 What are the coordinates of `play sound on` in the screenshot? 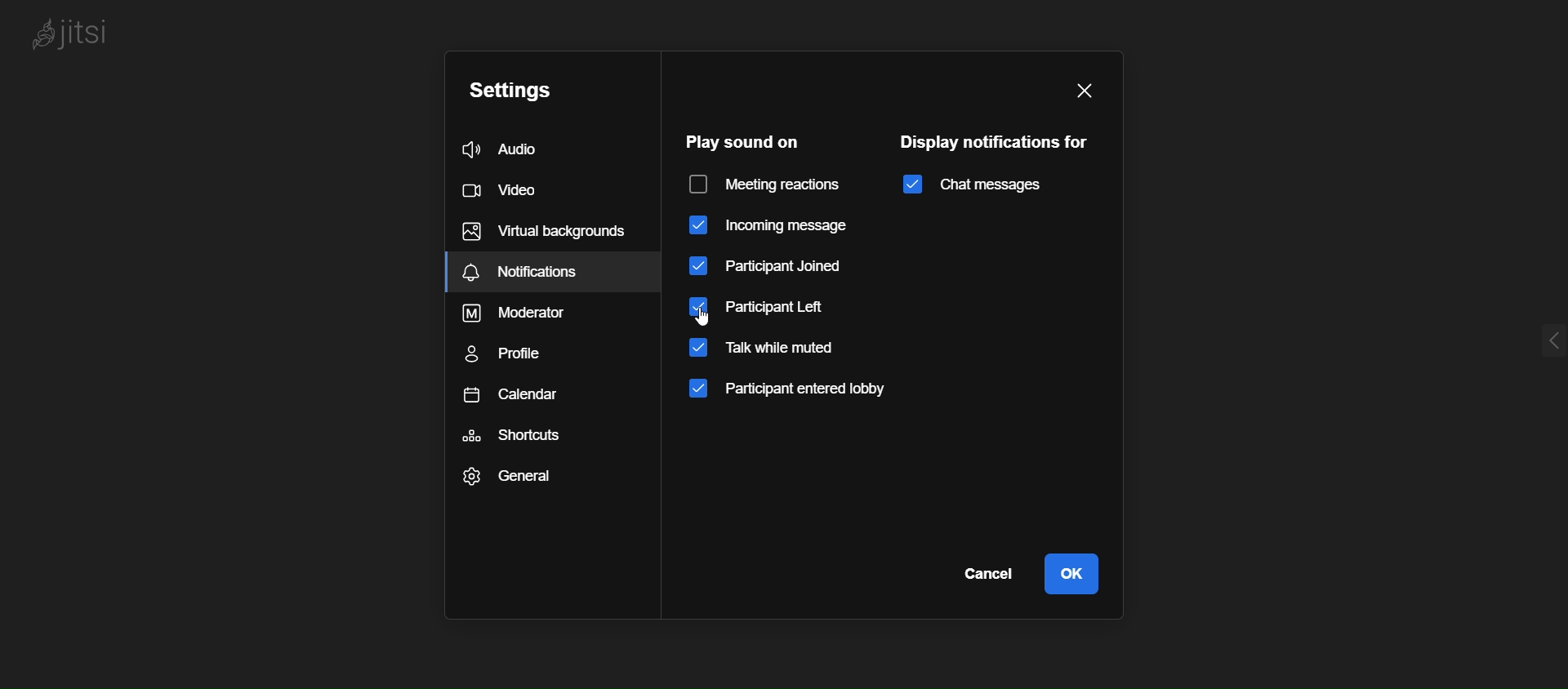 It's located at (743, 142).